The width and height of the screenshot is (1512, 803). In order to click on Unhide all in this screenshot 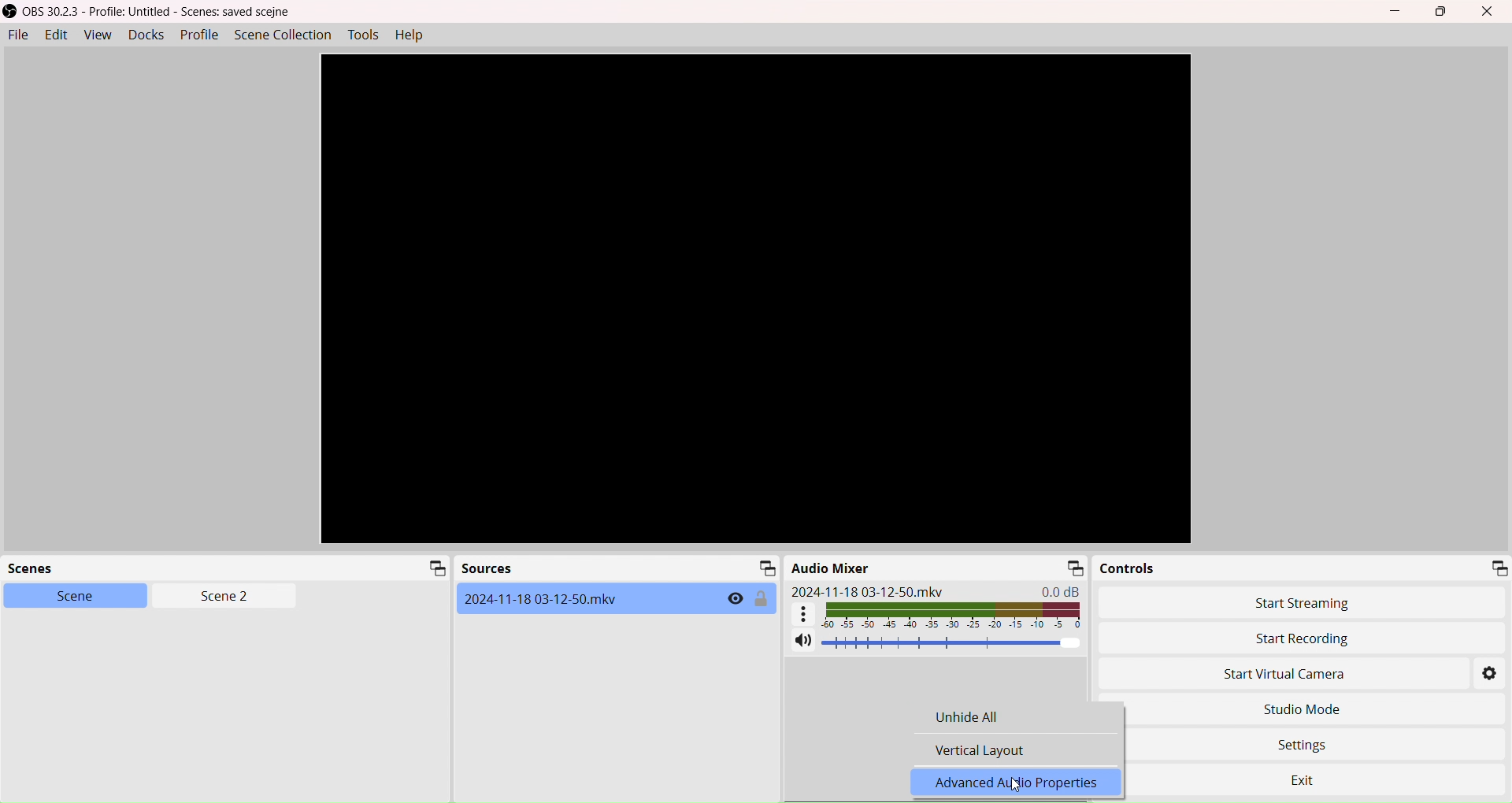, I will do `click(995, 720)`.